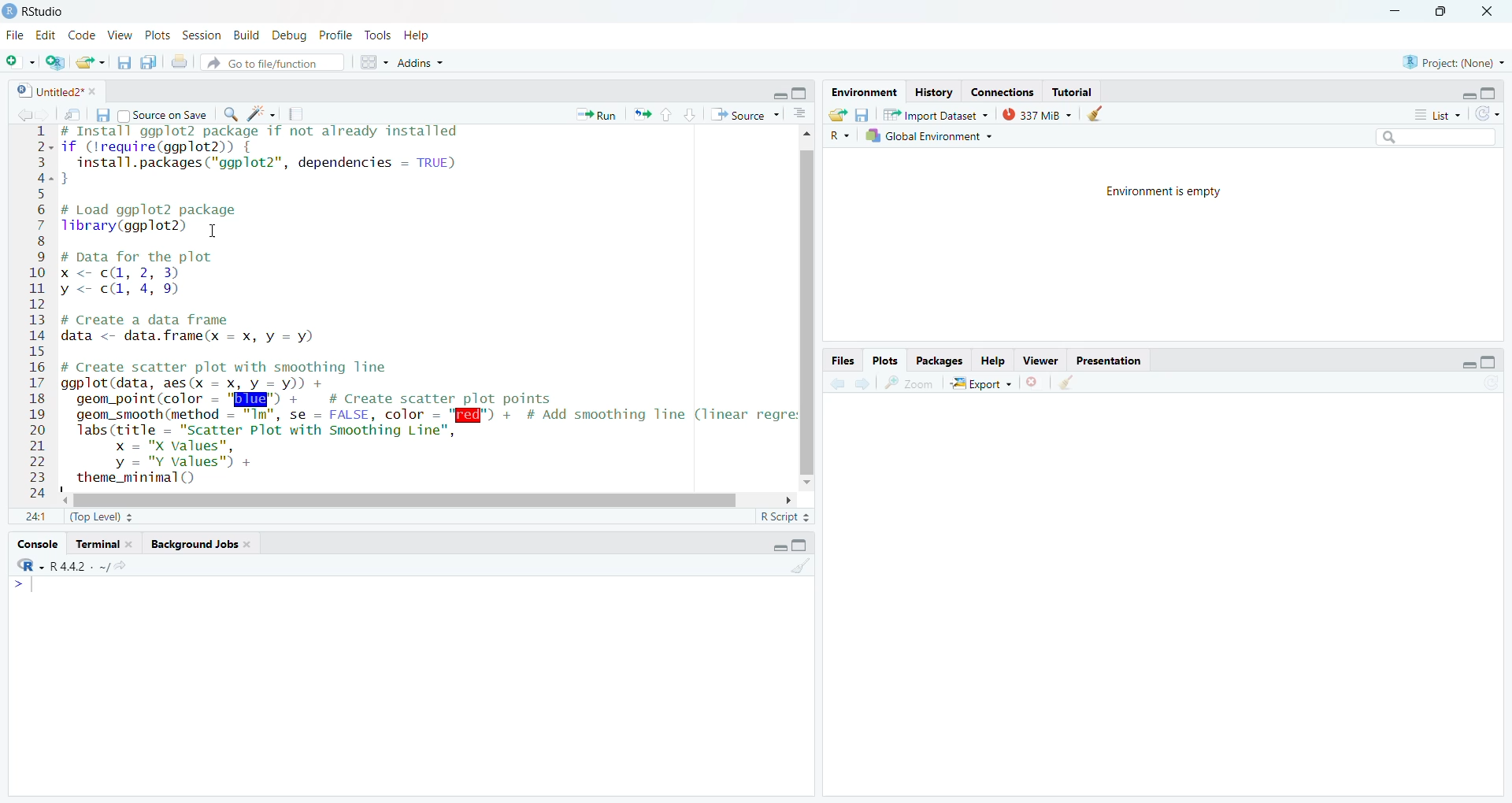  Describe the element at coordinates (1490, 113) in the screenshot. I see `refresh` at that location.